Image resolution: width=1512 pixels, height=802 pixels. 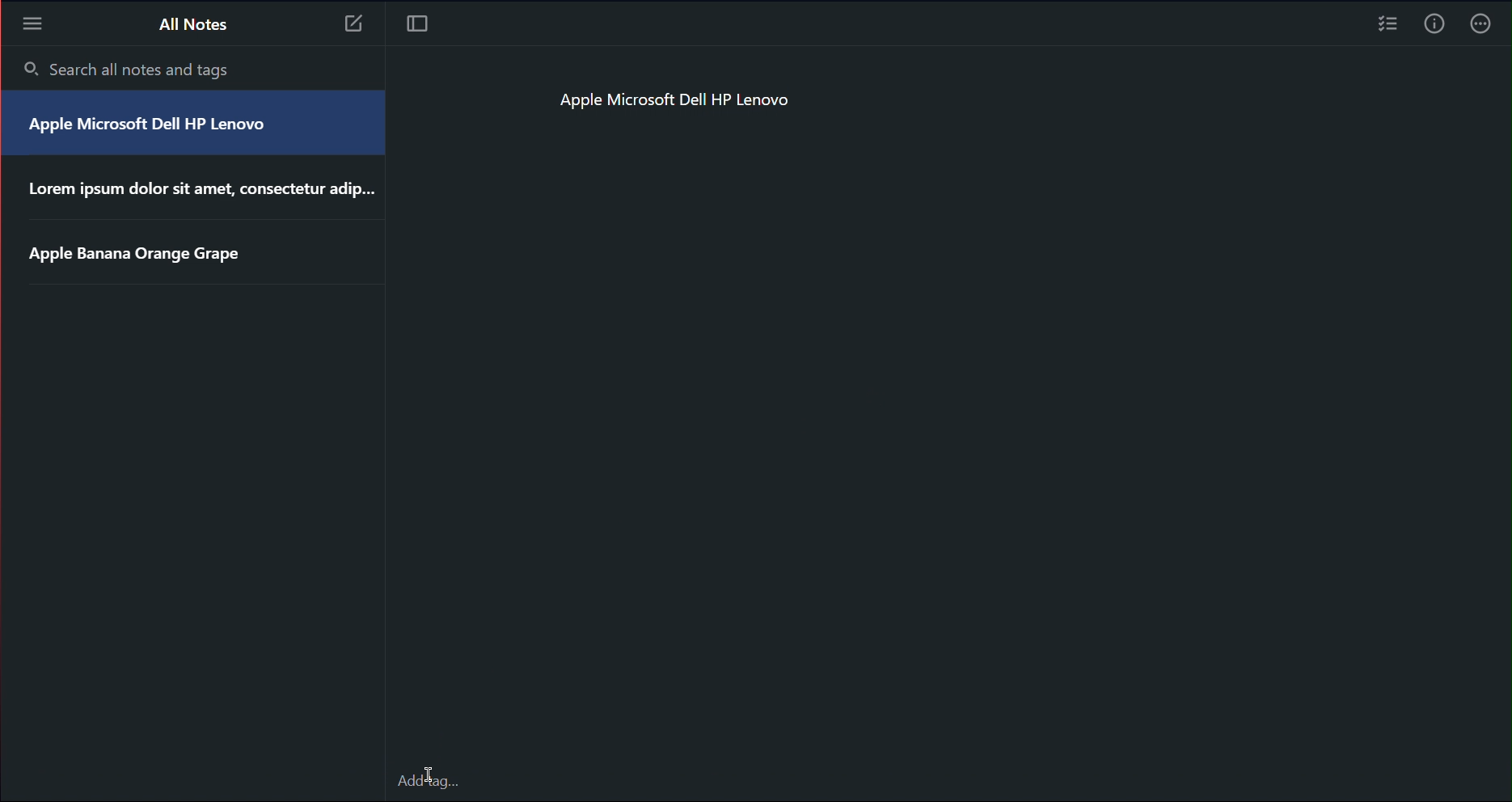 I want to click on Apple Microsoft Dell HP Lenovo, so click(x=682, y=97).